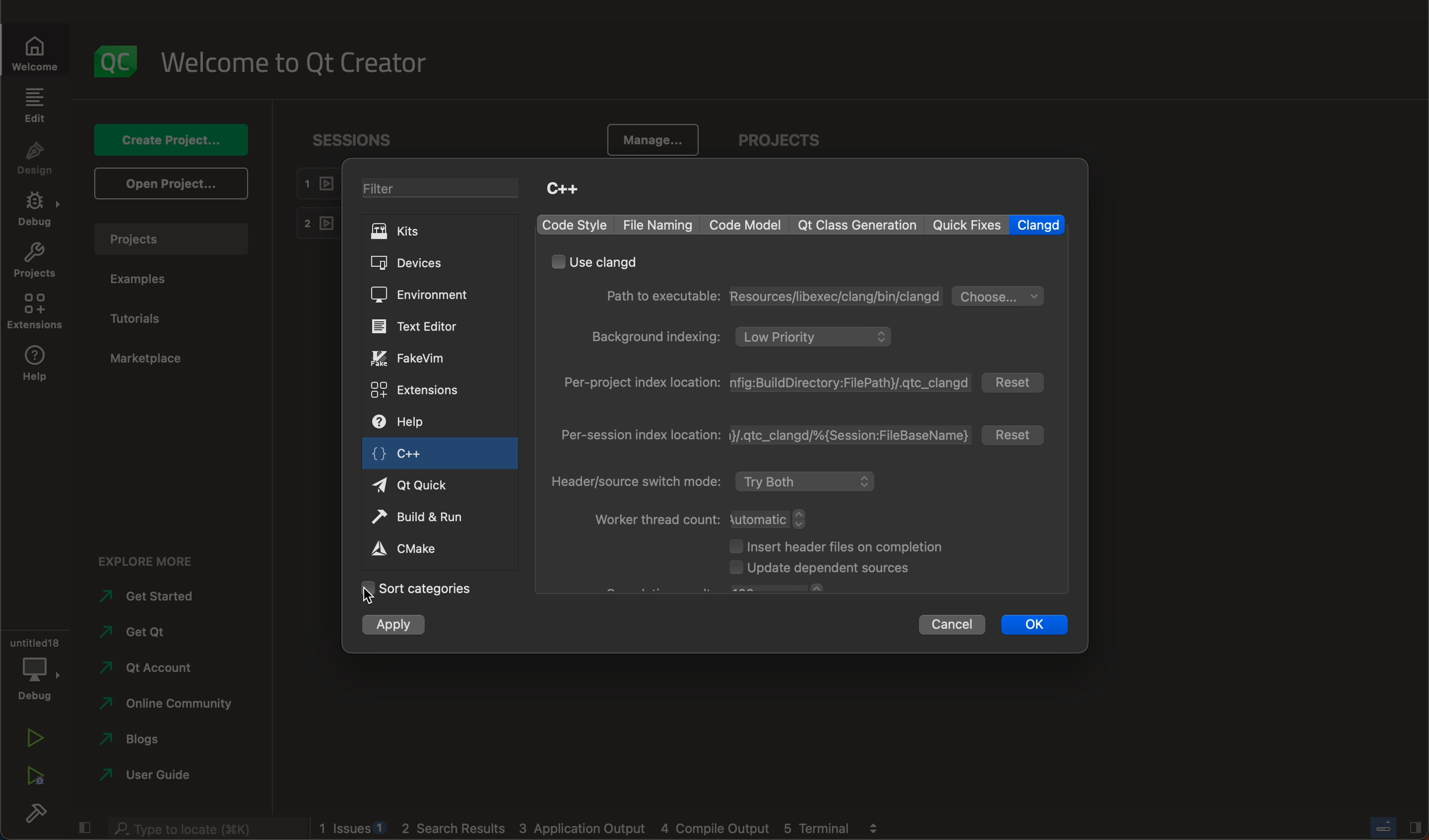  What do you see at coordinates (37, 777) in the screenshot?
I see `run debug` at bounding box center [37, 777].